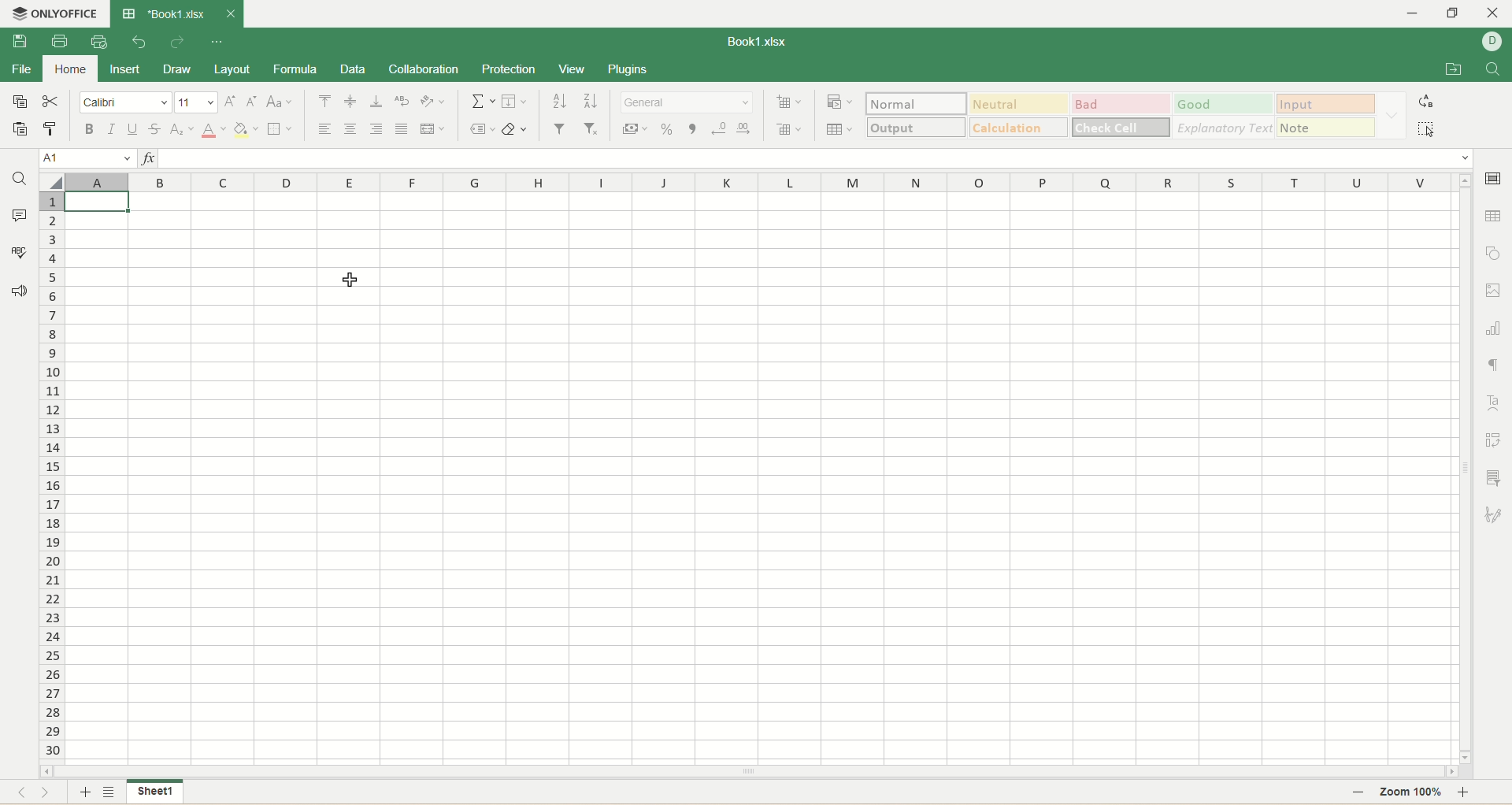 The image size is (1512, 805). What do you see at coordinates (353, 69) in the screenshot?
I see `data` at bounding box center [353, 69].